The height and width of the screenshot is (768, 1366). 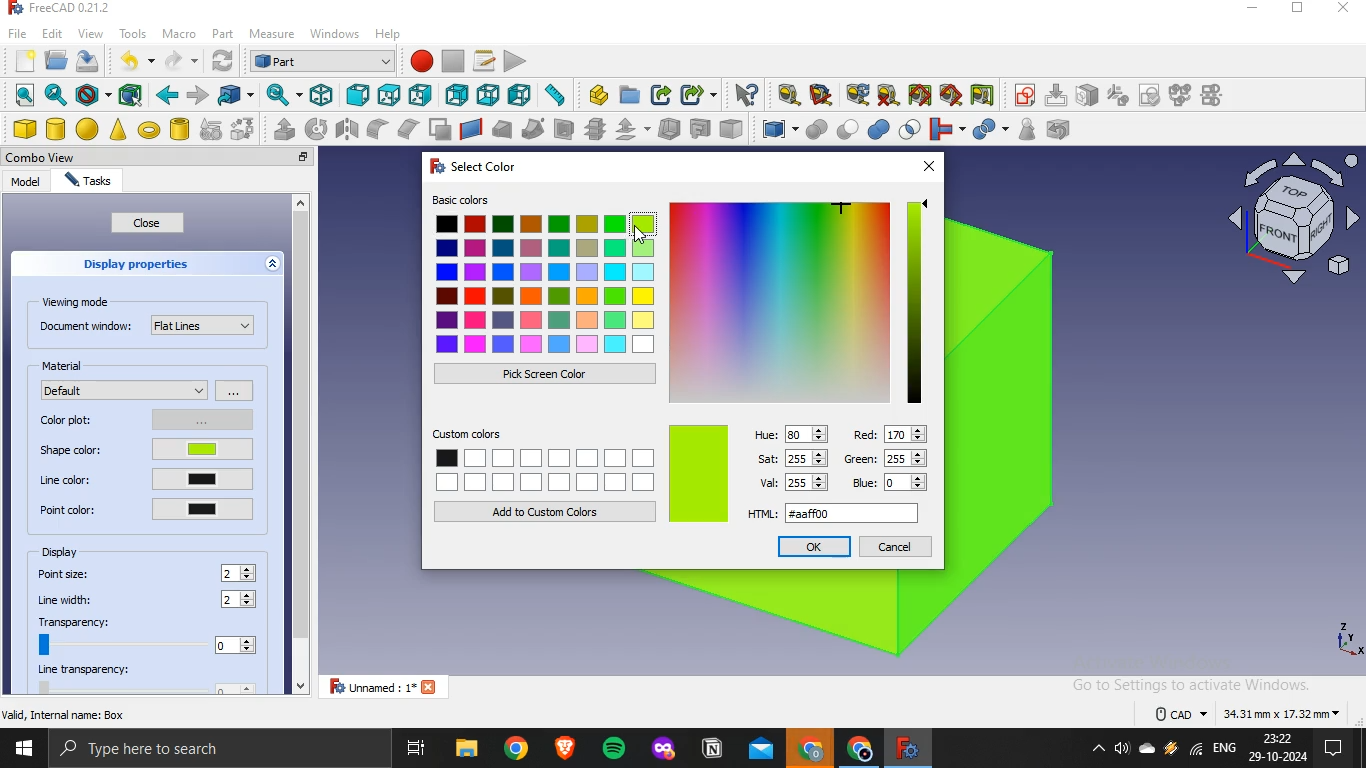 What do you see at coordinates (336, 32) in the screenshot?
I see `windows` at bounding box center [336, 32].